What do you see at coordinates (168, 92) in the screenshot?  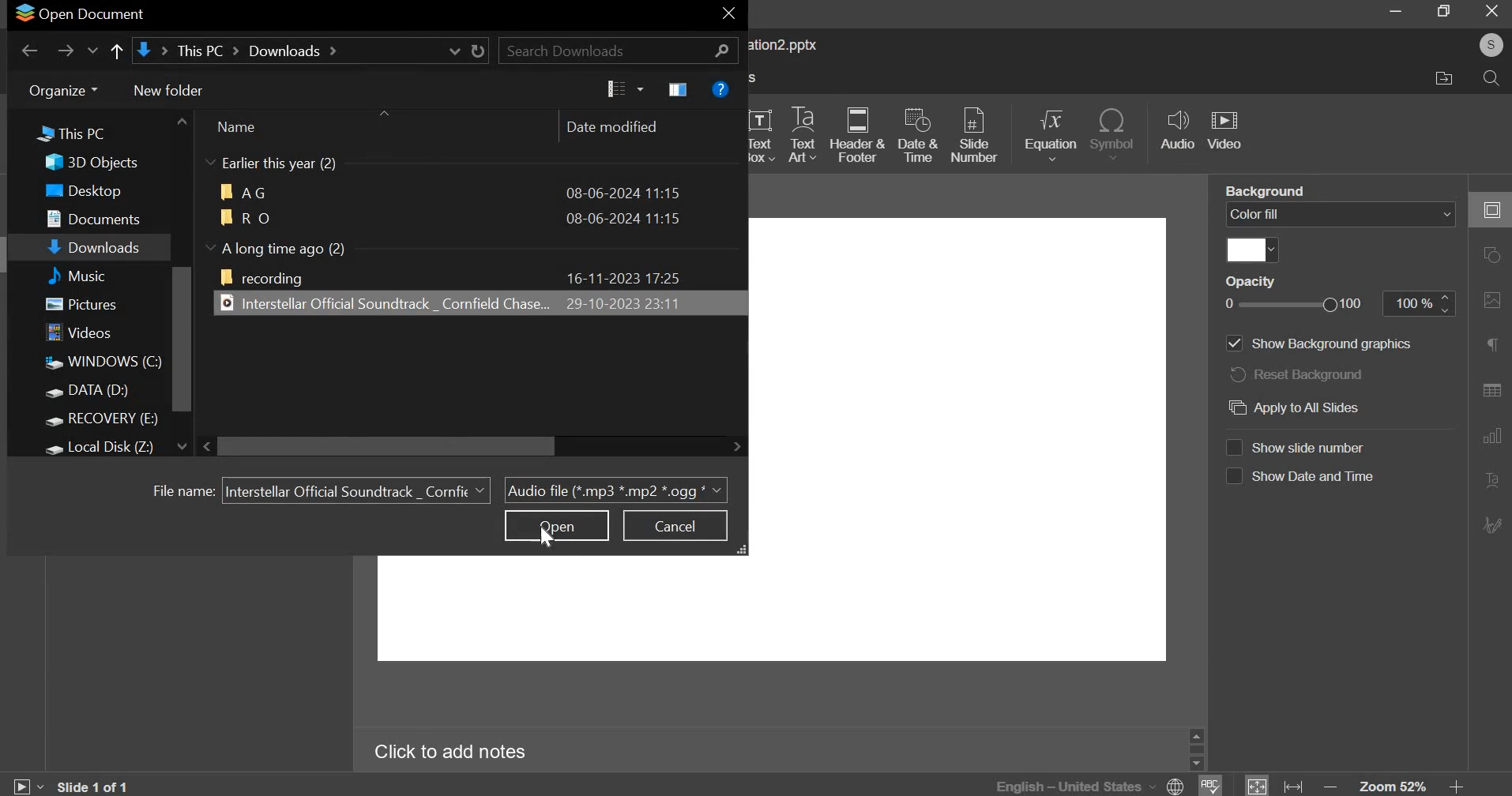 I see `new folder` at bounding box center [168, 92].